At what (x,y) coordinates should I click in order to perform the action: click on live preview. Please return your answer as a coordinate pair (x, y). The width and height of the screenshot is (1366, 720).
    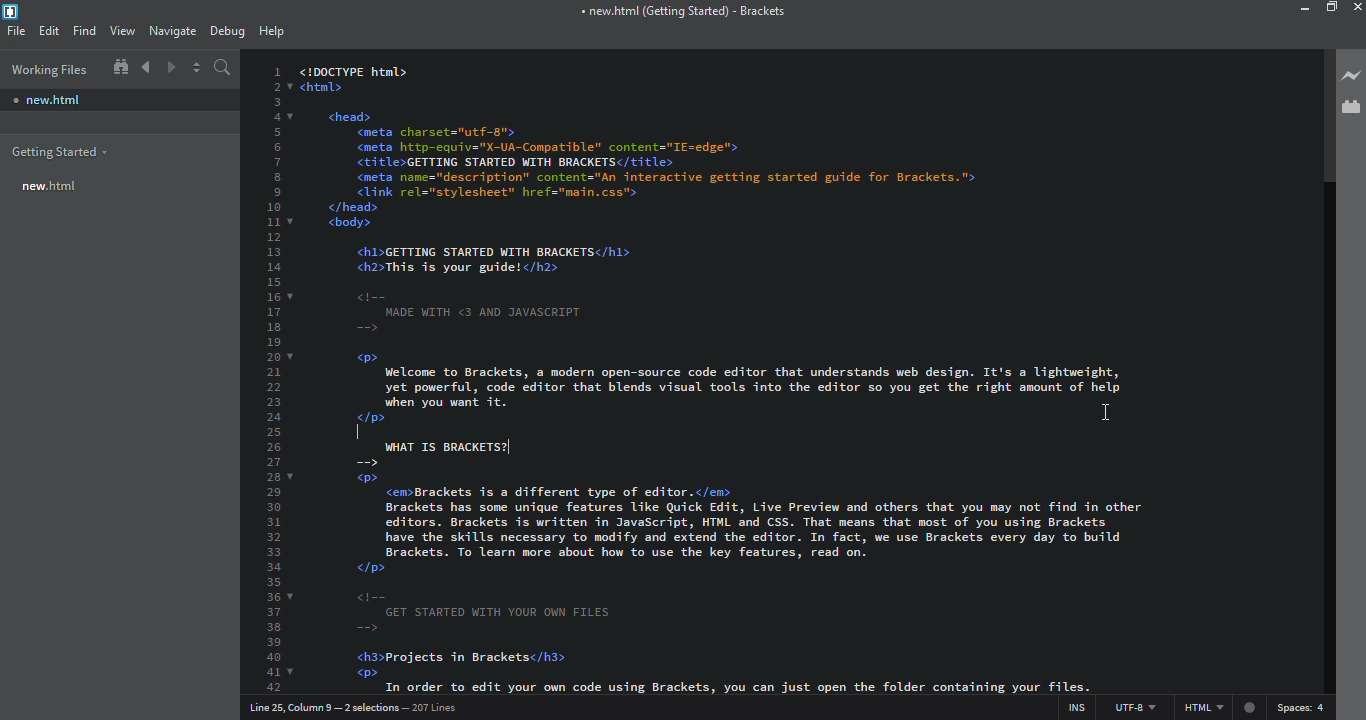
    Looking at the image, I should click on (1349, 74).